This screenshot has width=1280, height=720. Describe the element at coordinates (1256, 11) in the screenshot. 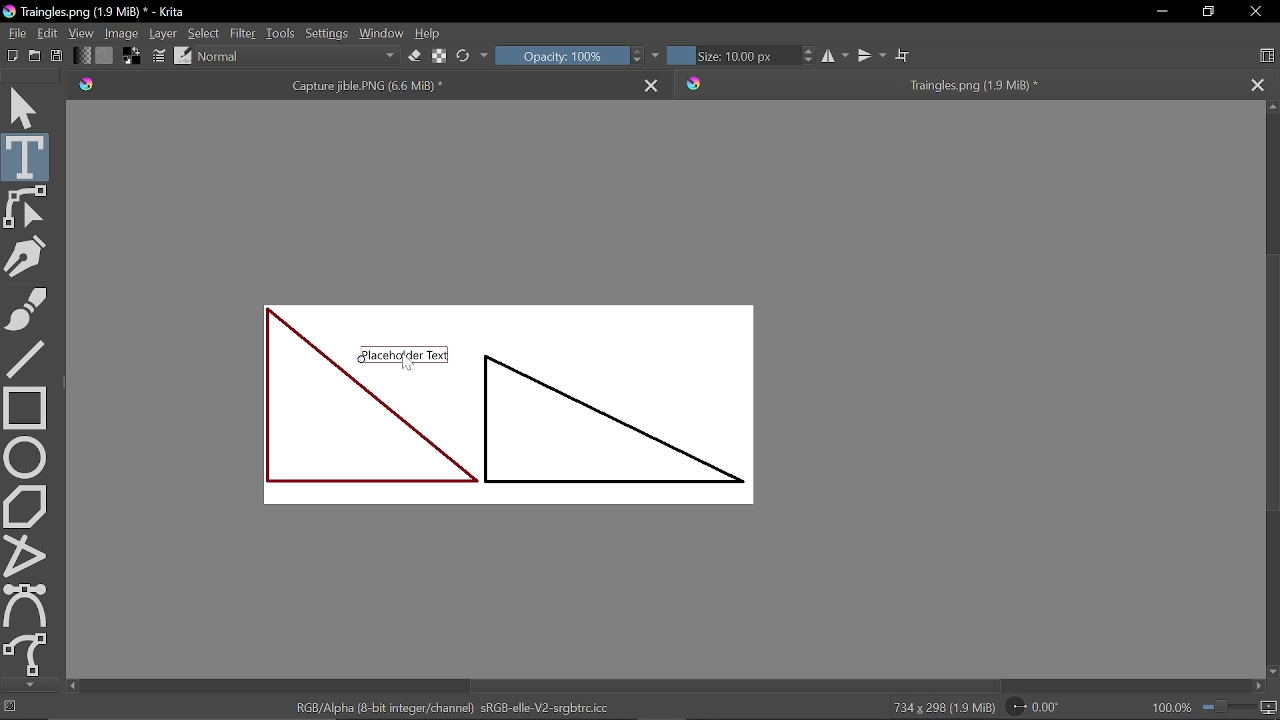

I see `Close` at that location.